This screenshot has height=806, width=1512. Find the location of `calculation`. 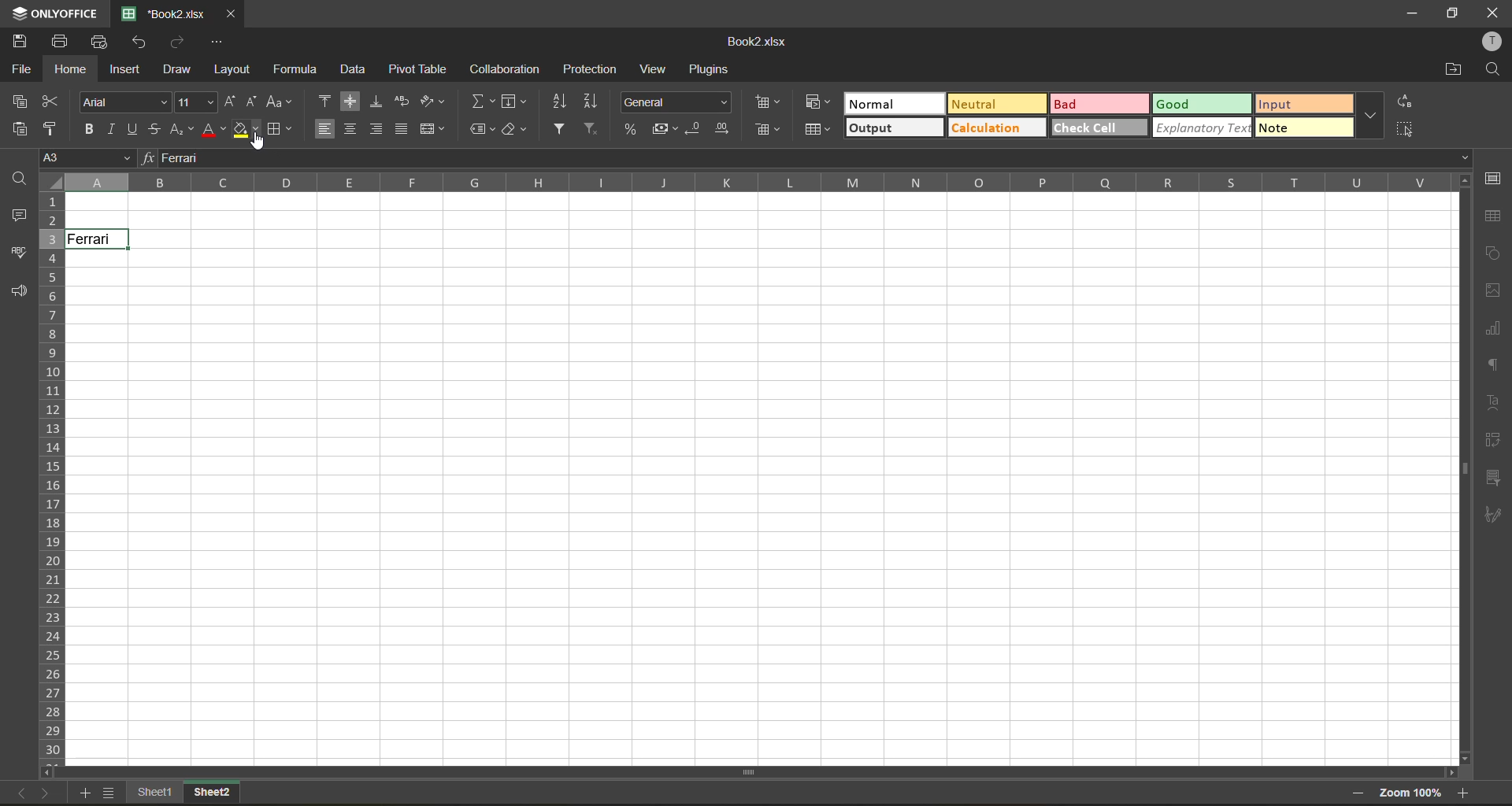

calculation is located at coordinates (994, 126).